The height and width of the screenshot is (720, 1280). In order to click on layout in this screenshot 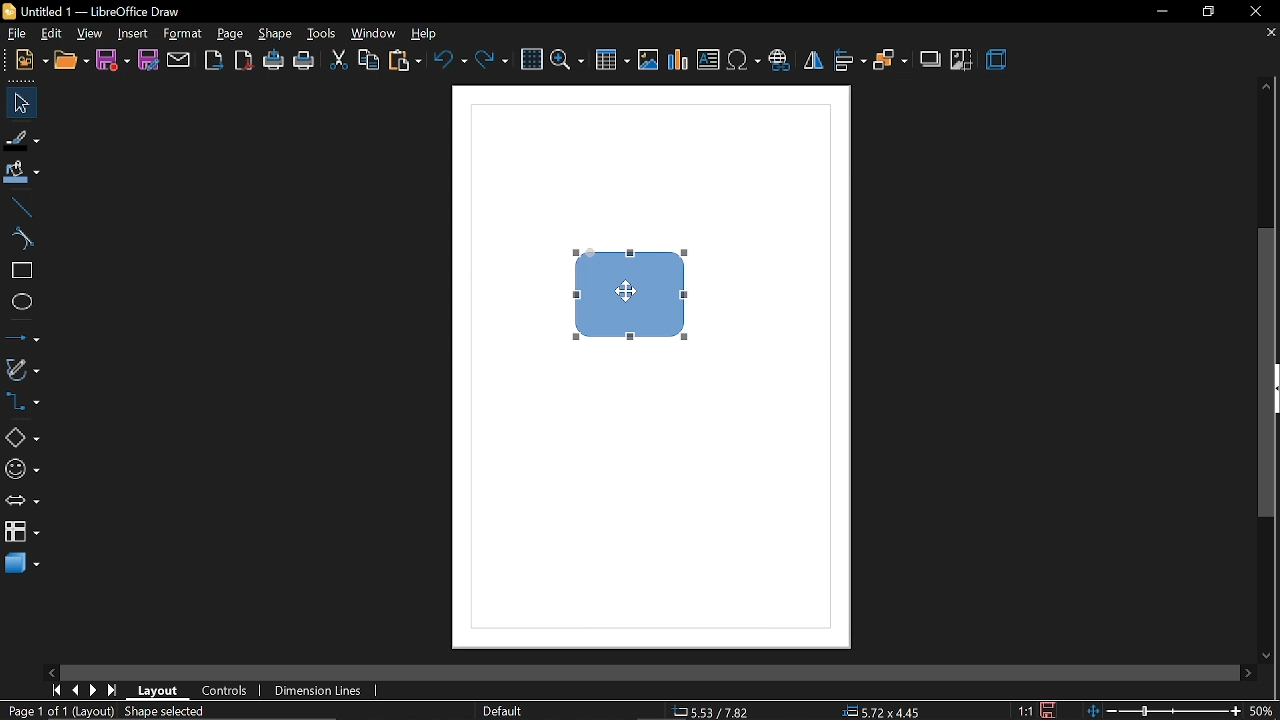, I will do `click(159, 690)`.